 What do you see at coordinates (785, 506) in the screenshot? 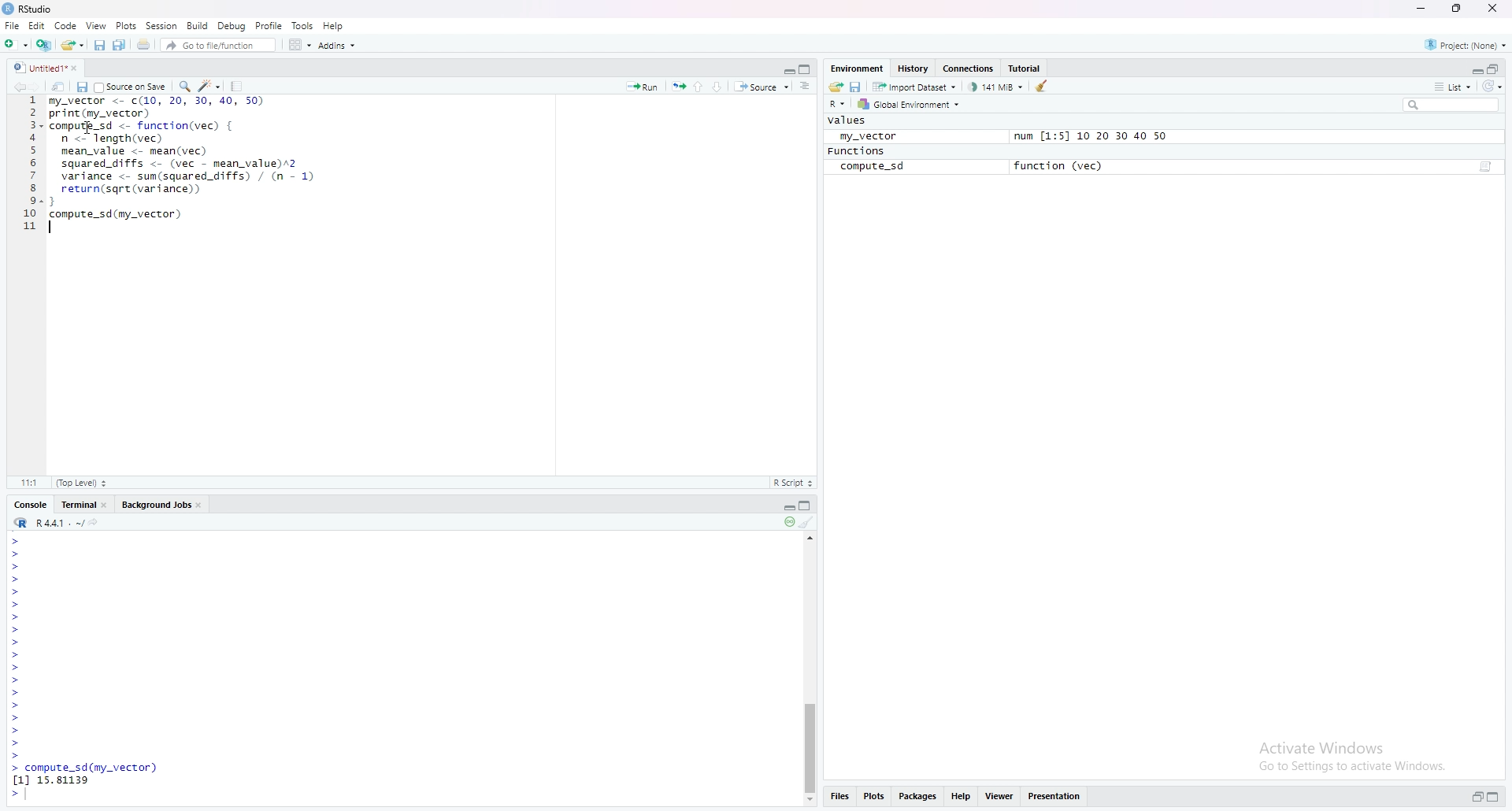
I see `Minimize` at bounding box center [785, 506].